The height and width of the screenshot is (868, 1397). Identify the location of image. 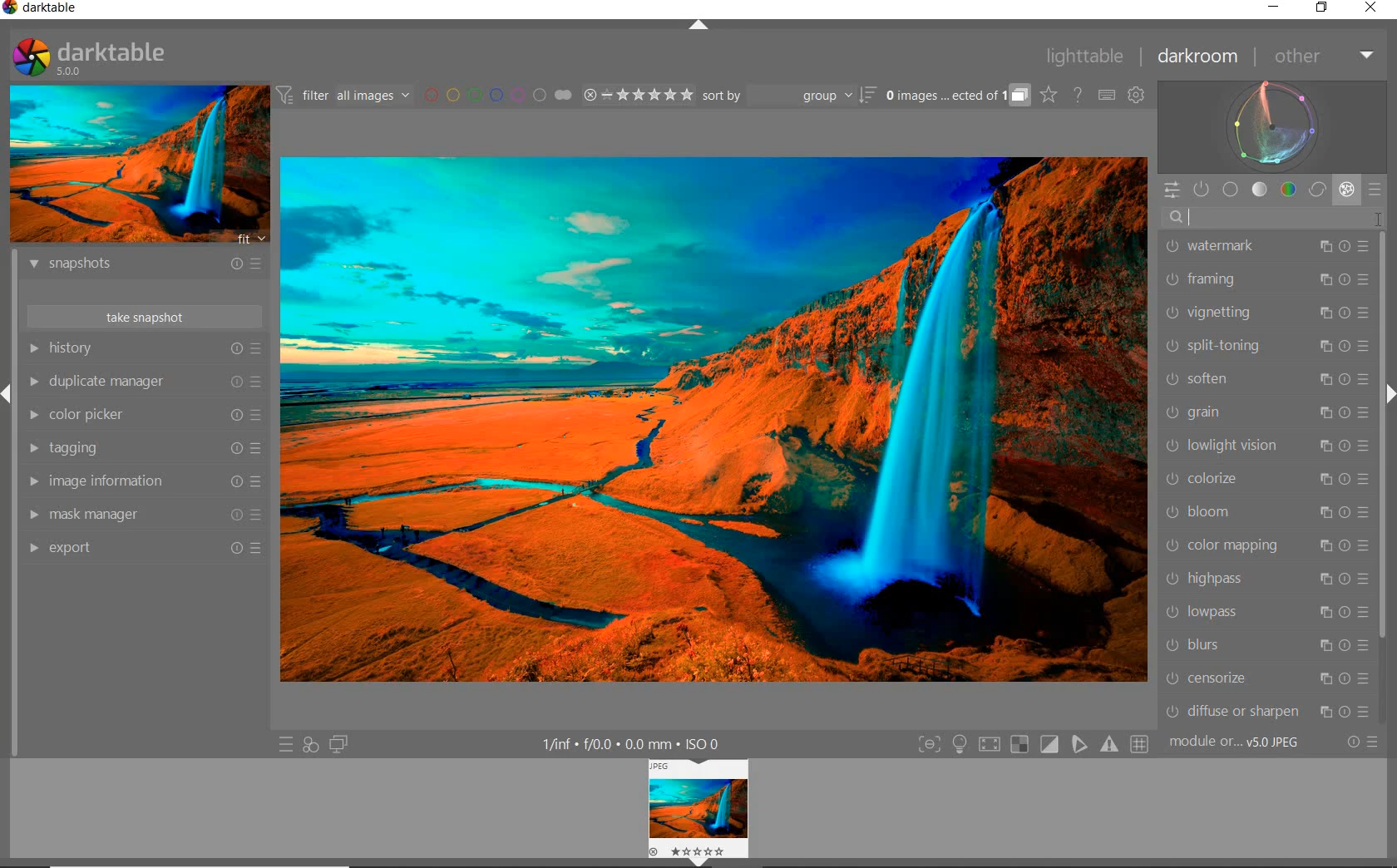
(702, 806).